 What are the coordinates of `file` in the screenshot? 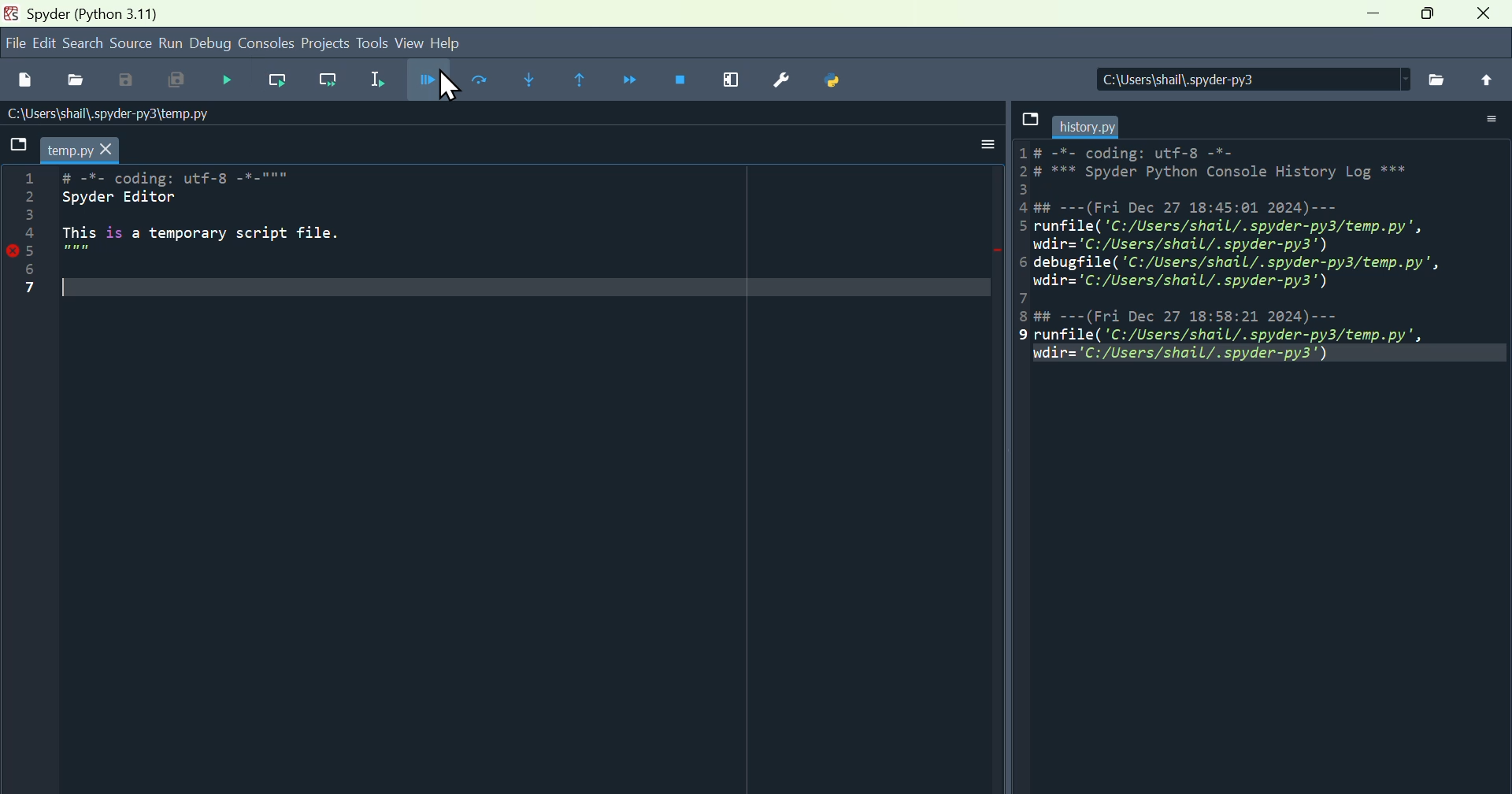 It's located at (1438, 78).